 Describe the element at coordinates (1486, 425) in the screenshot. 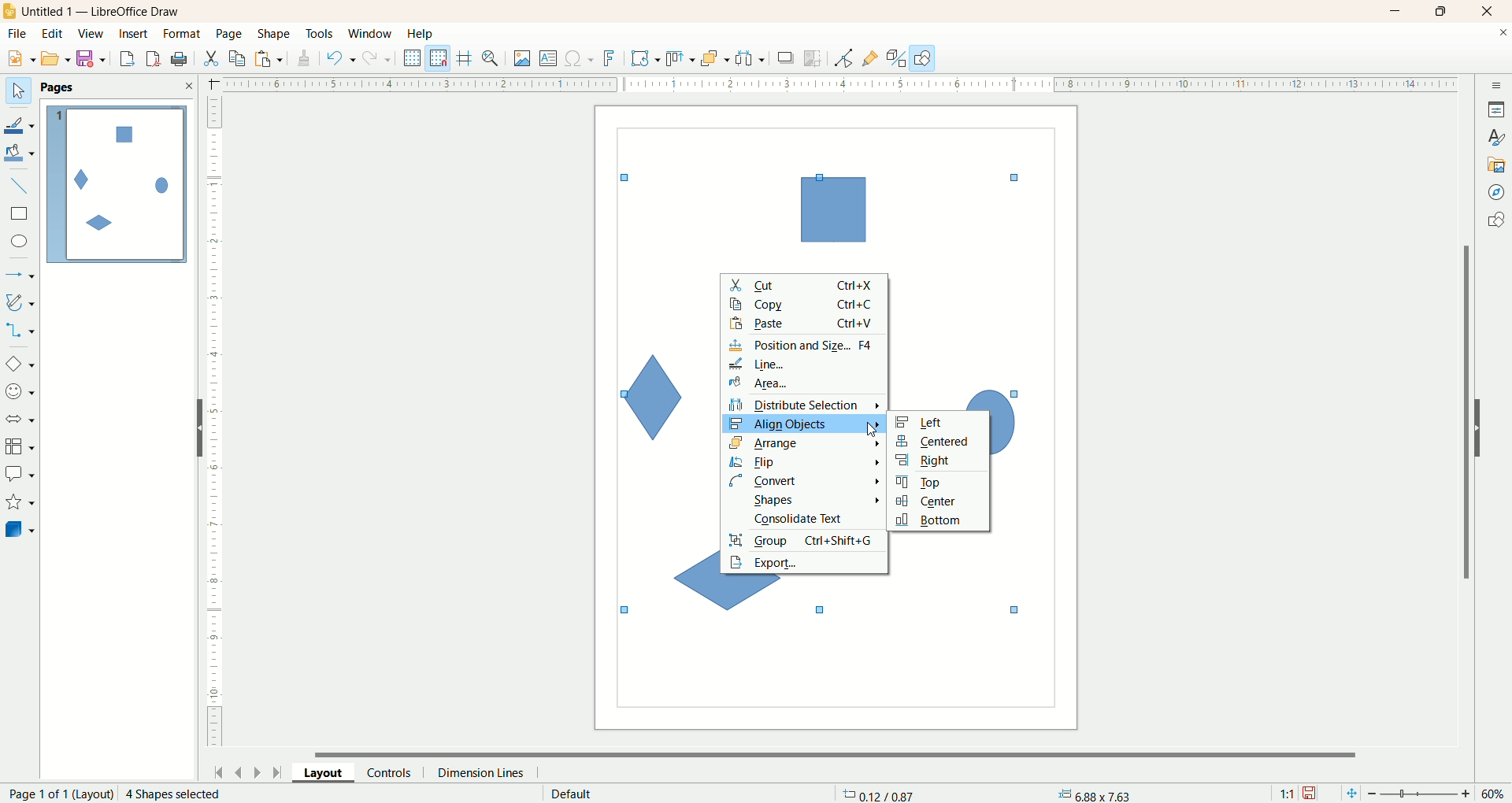

I see `hide` at that location.